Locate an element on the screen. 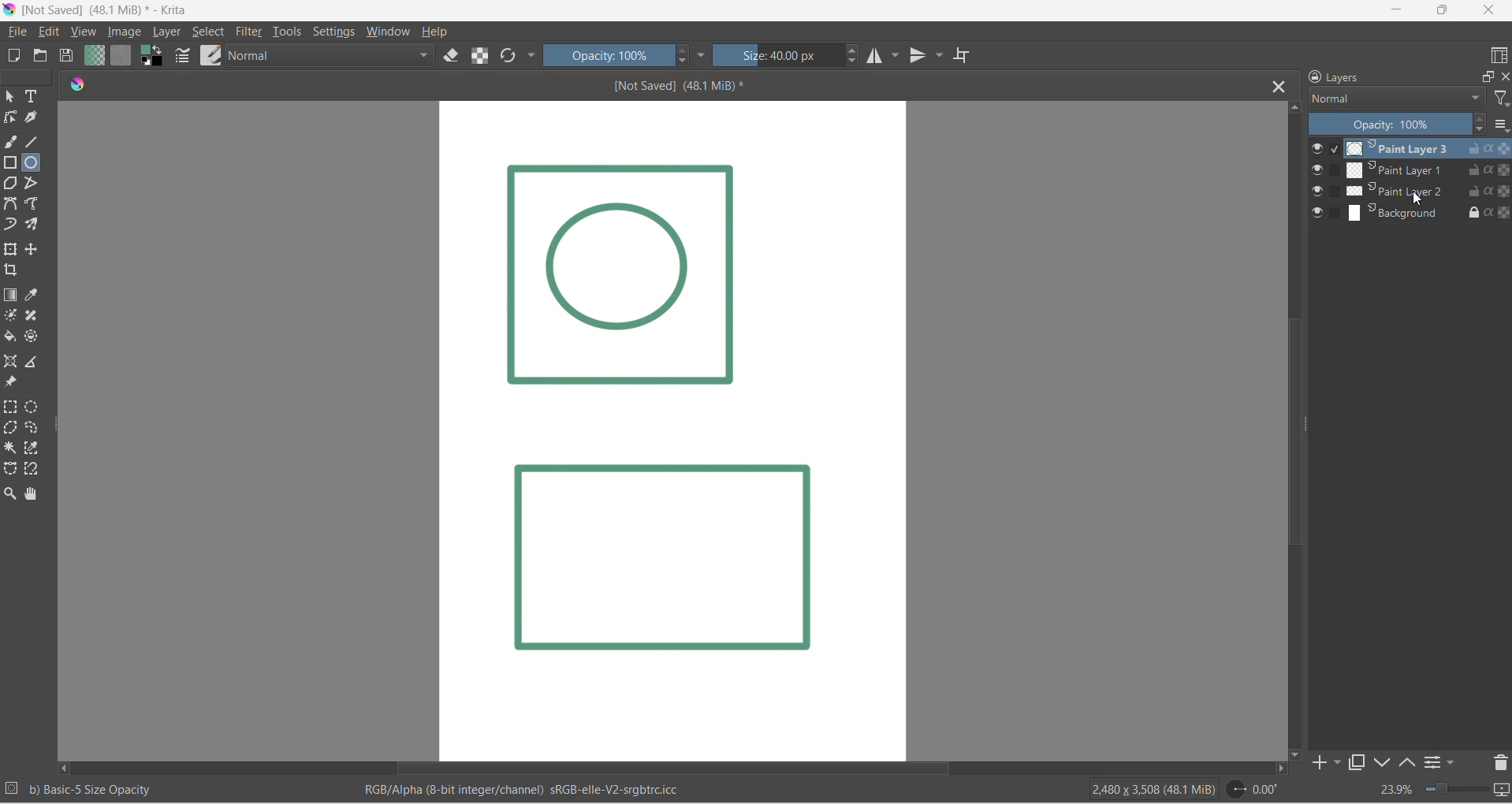 This screenshot has height=804, width=1512. minimize is located at coordinates (1394, 12).